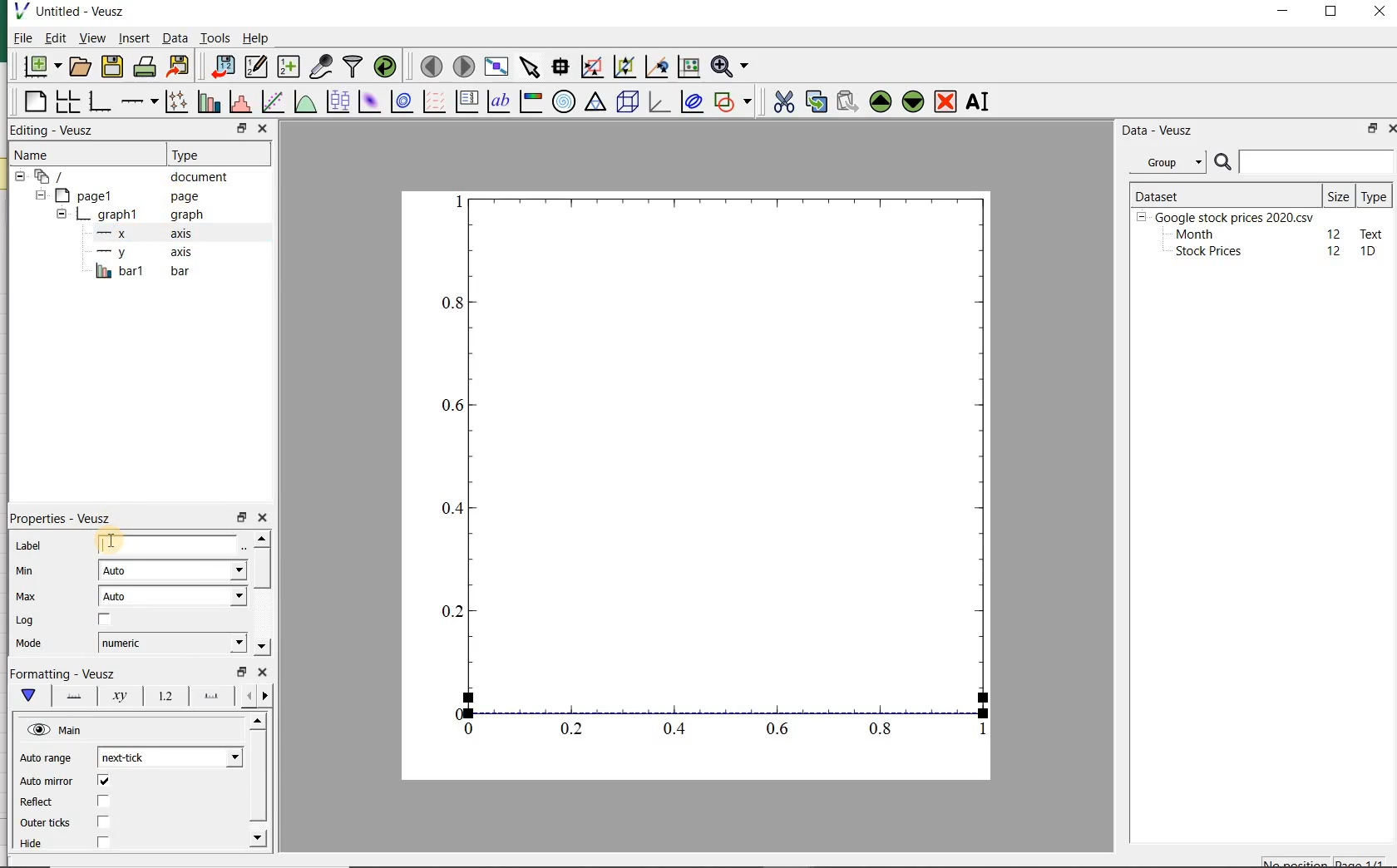 Image resolution: width=1397 pixels, height=868 pixels. Describe the element at coordinates (66, 520) in the screenshot. I see `Properties - Veusz` at that location.